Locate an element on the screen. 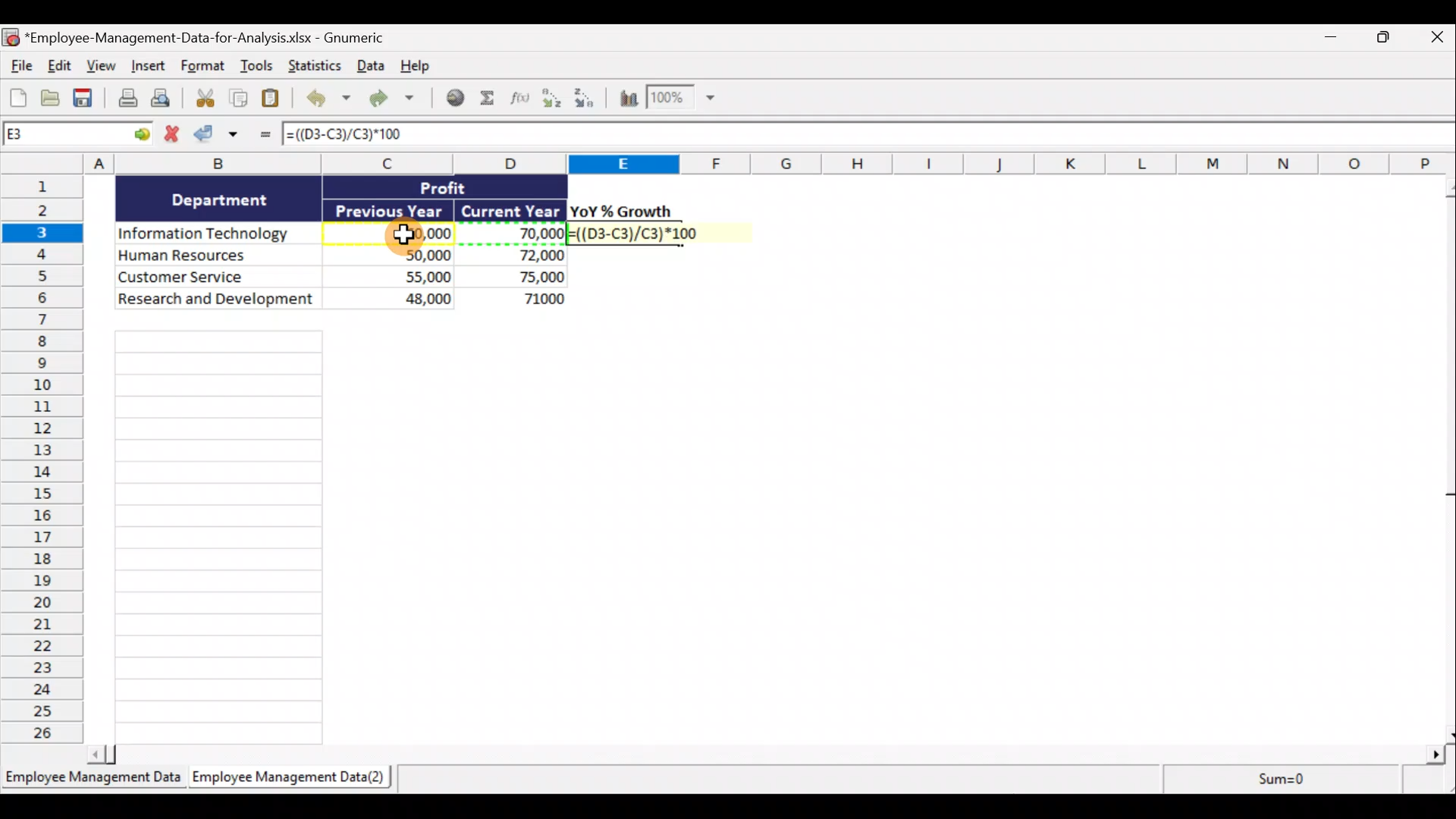  Insert is located at coordinates (146, 67).